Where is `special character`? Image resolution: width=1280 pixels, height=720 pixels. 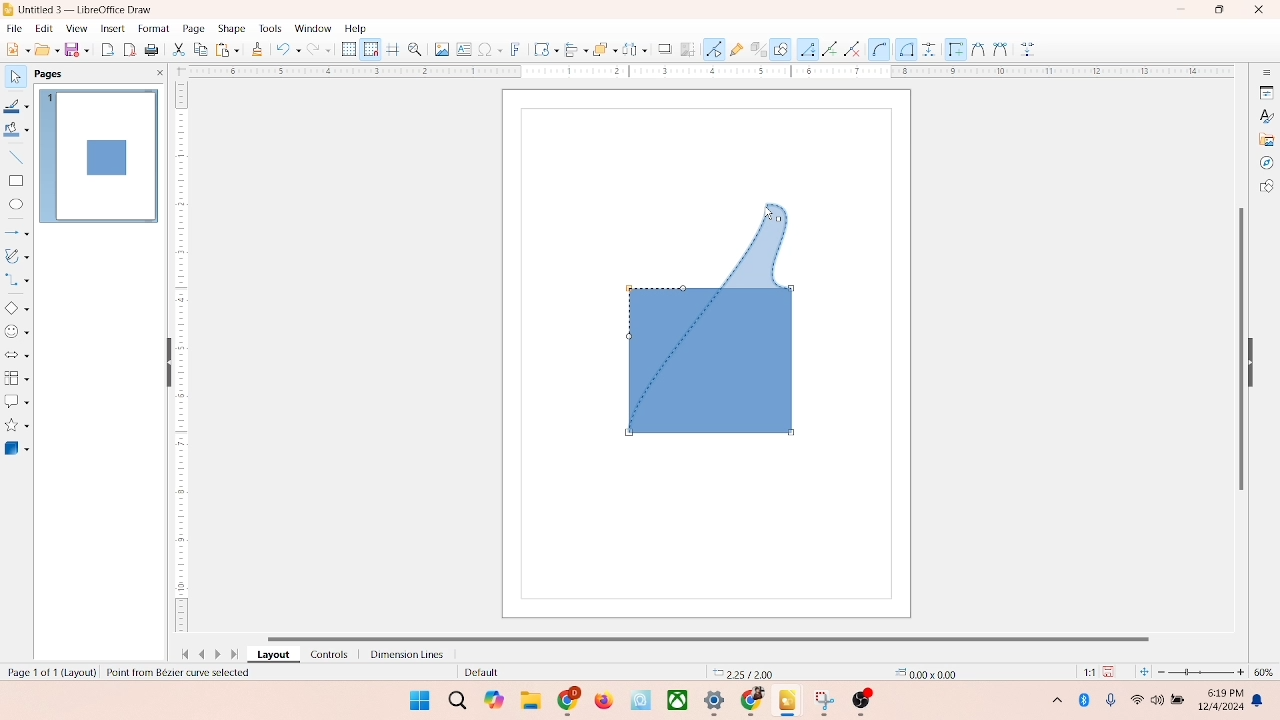 special character is located at coordinates (490, 49).